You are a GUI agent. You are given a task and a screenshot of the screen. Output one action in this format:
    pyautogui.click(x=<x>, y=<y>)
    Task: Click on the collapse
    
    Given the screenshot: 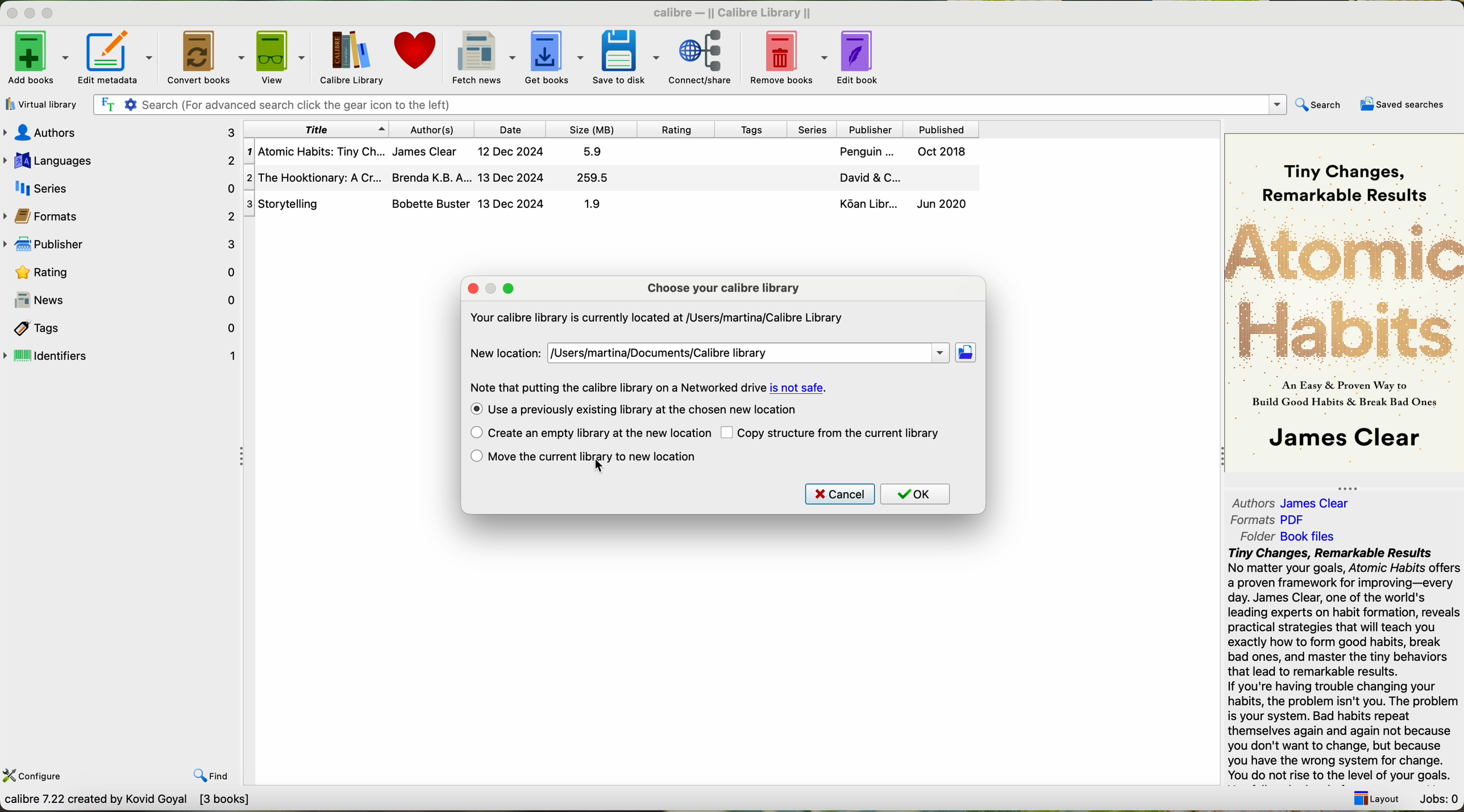 What is the action you would take?
    pyautogui.click(x=1218, y=458)
    